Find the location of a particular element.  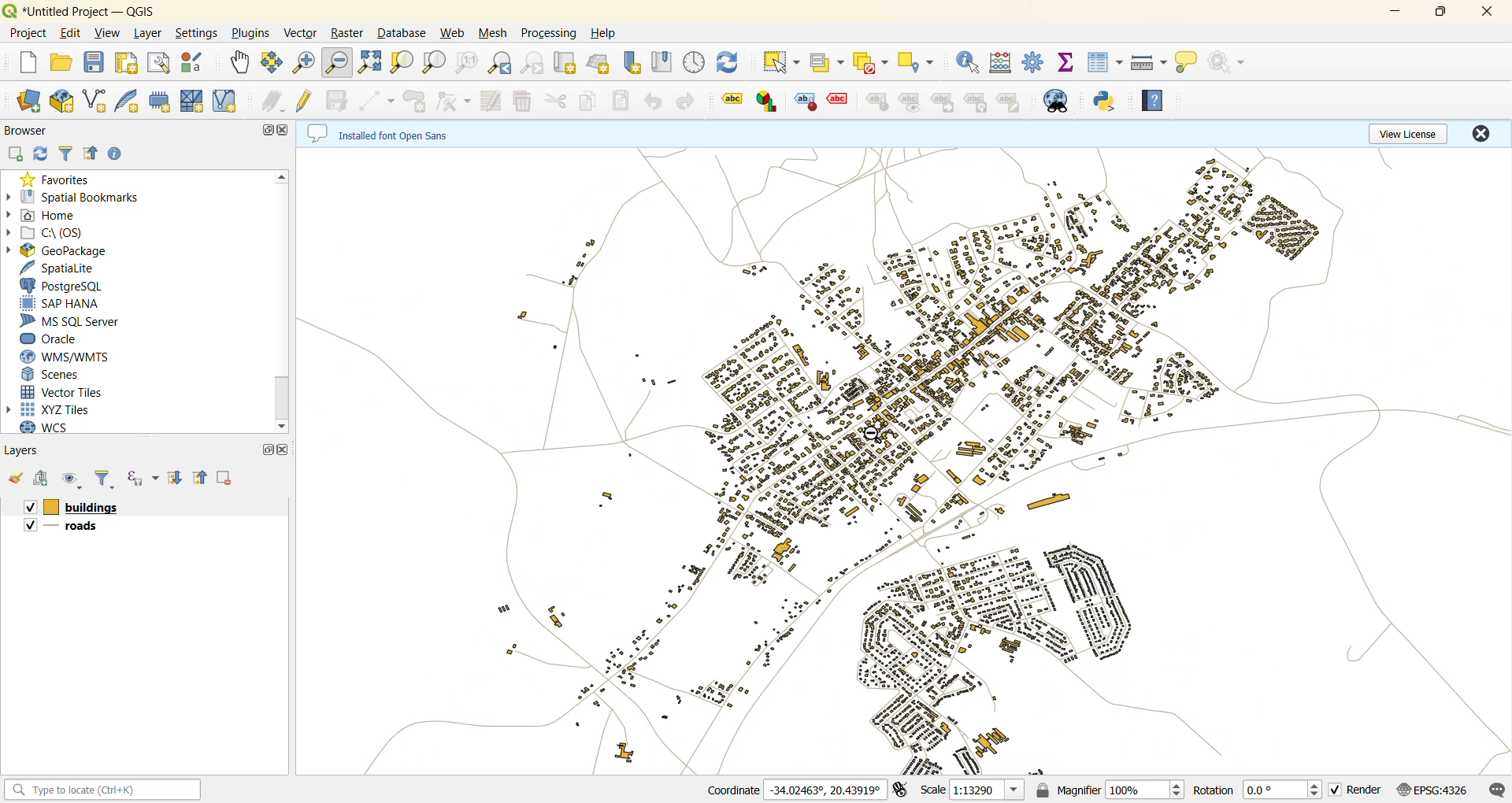

new is located at coordinates (28, 61).